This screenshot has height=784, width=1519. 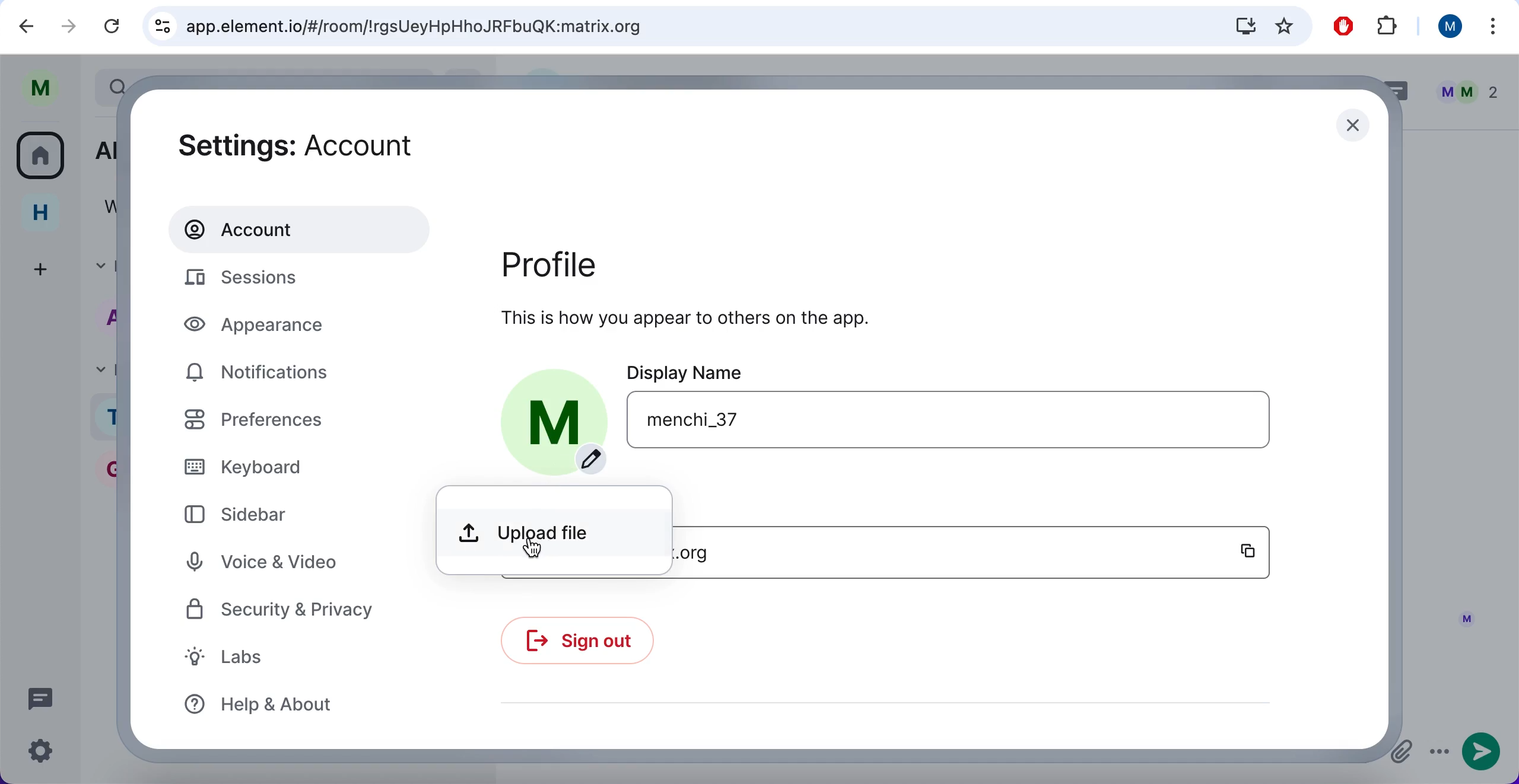 I want to click on upload file, so click(x=549, y=533).